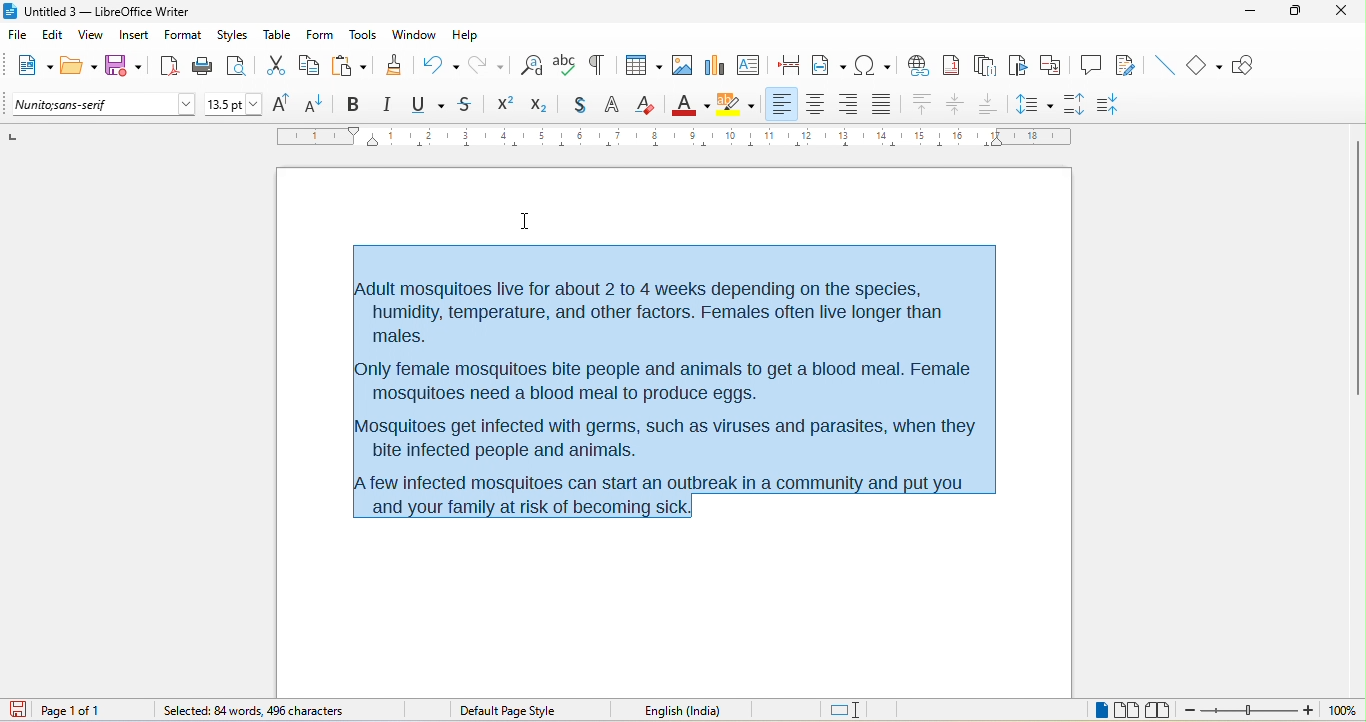 This screenshot has width=1366, height=722. Describe the element at coordinates (885, 102) in the screenshot. I see `justified` at that location.